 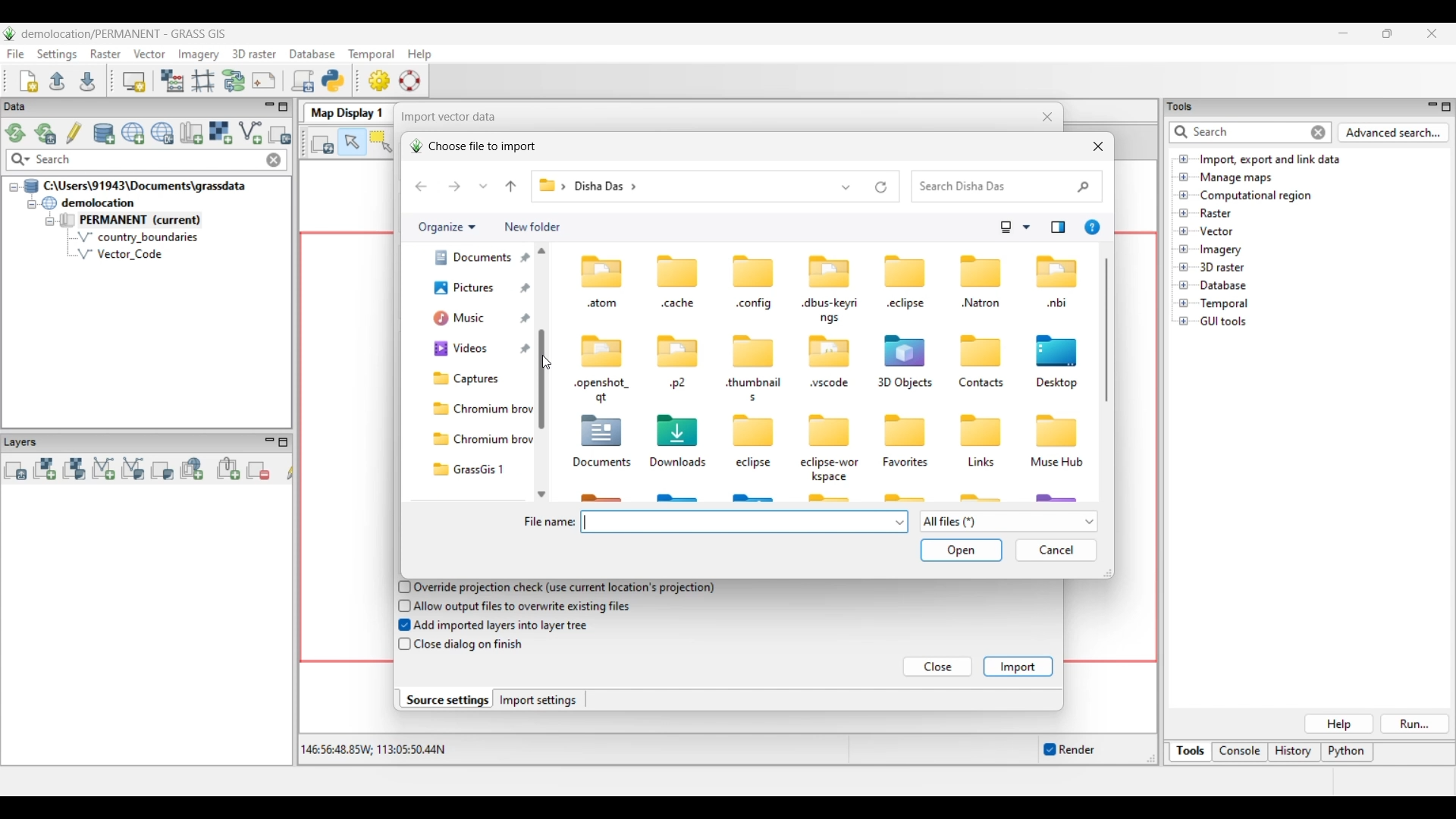 I want to click on Double click to see files under GUI tools, so click(x=1224, y=322).